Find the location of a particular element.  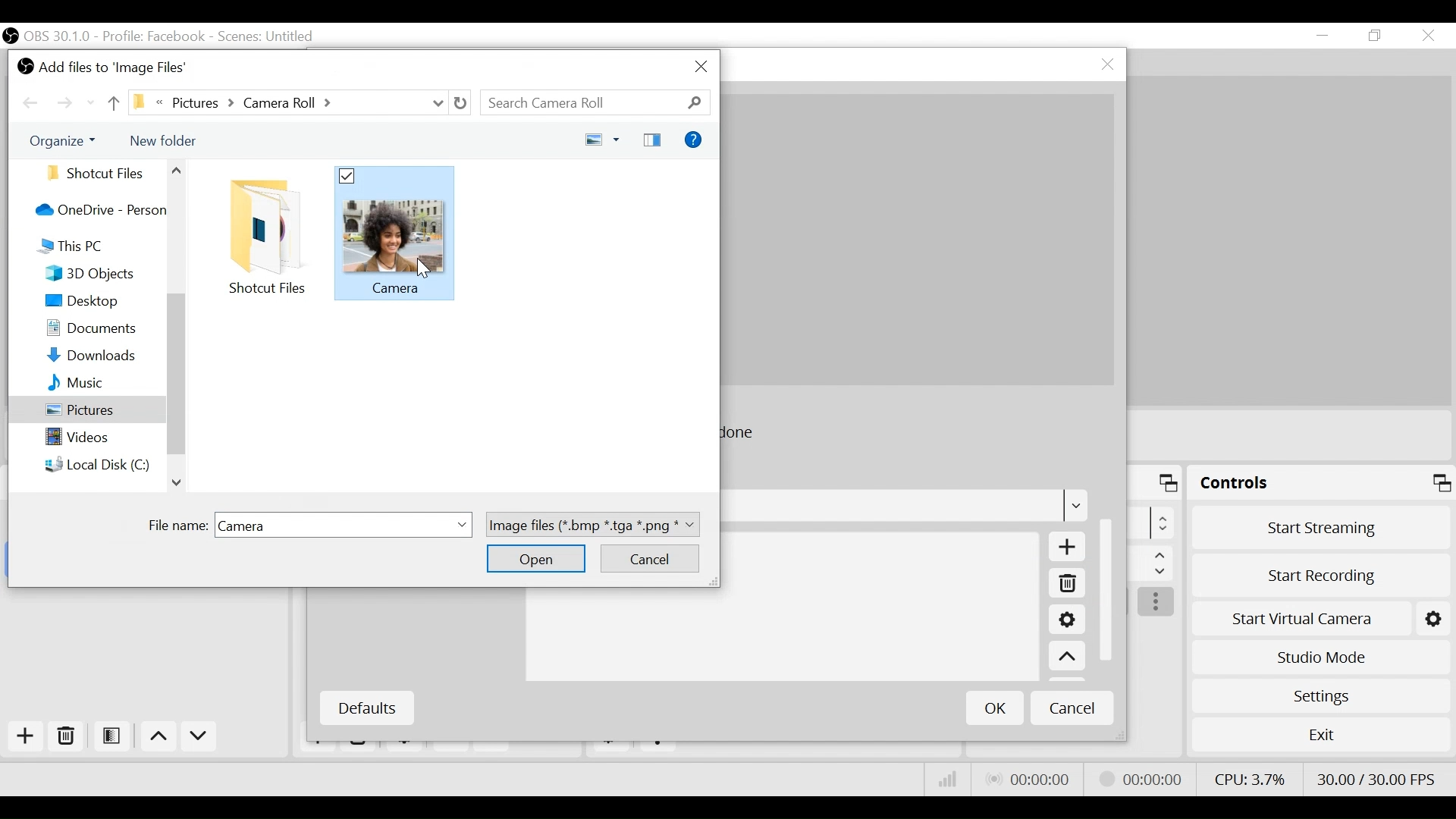

OneDrive is located at coordinates (99, 211).